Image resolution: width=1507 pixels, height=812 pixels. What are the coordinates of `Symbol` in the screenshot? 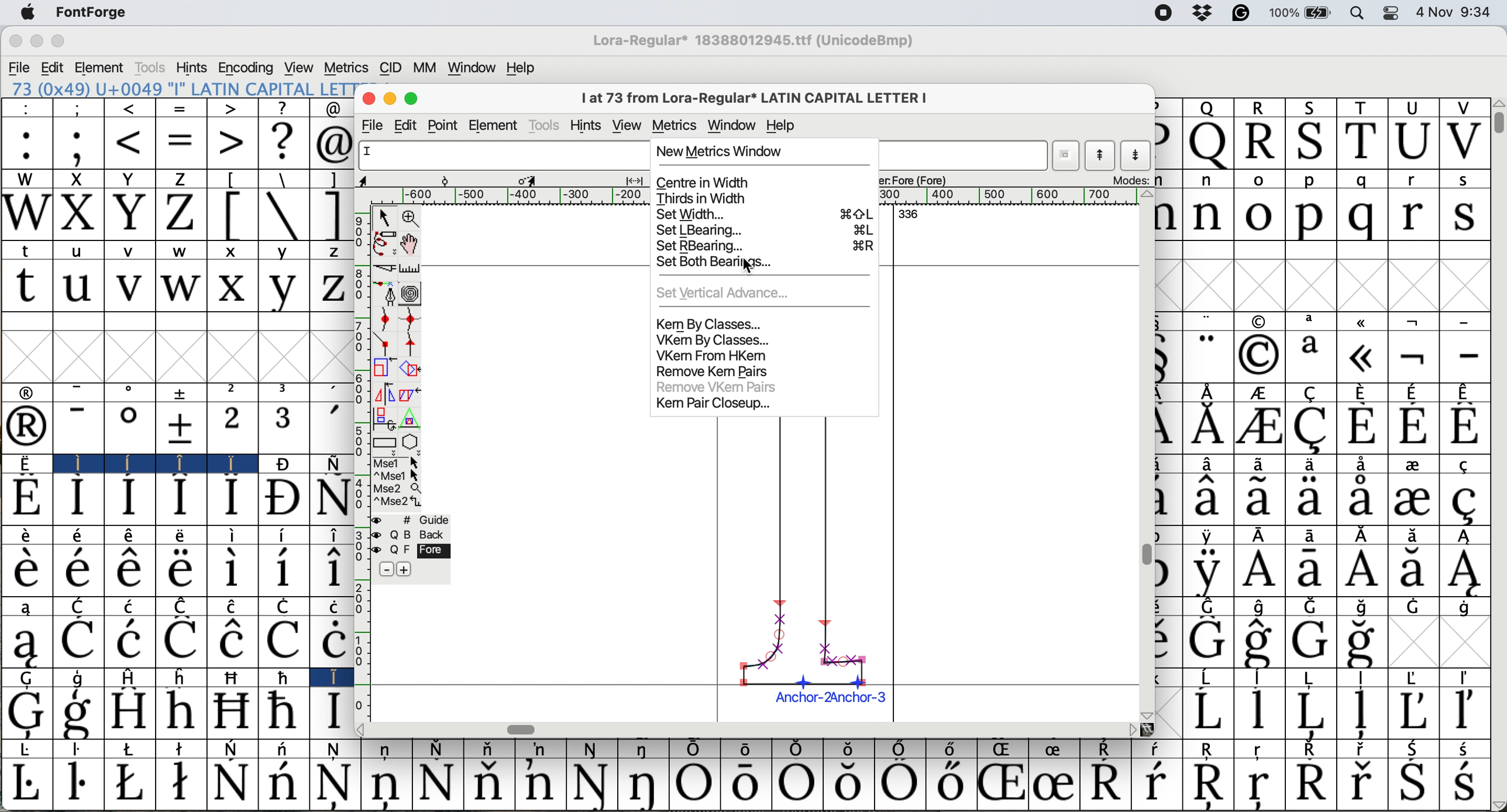 It's located at (181, 748).